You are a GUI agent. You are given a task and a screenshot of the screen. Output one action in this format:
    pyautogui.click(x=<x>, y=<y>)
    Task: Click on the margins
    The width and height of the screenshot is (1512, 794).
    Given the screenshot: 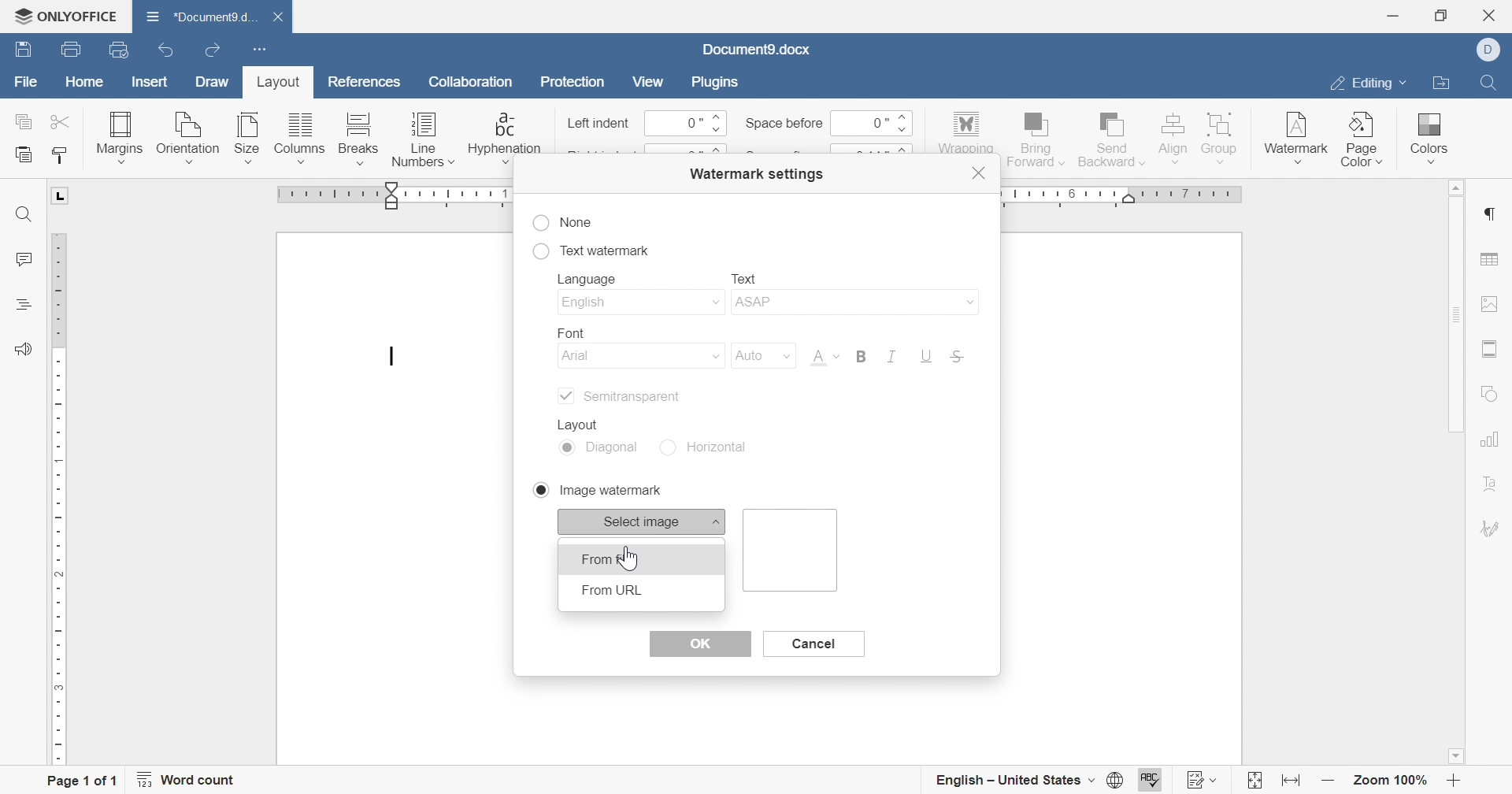 What is the action you would take?
    pyautogui.click(x=118, y=136)
    